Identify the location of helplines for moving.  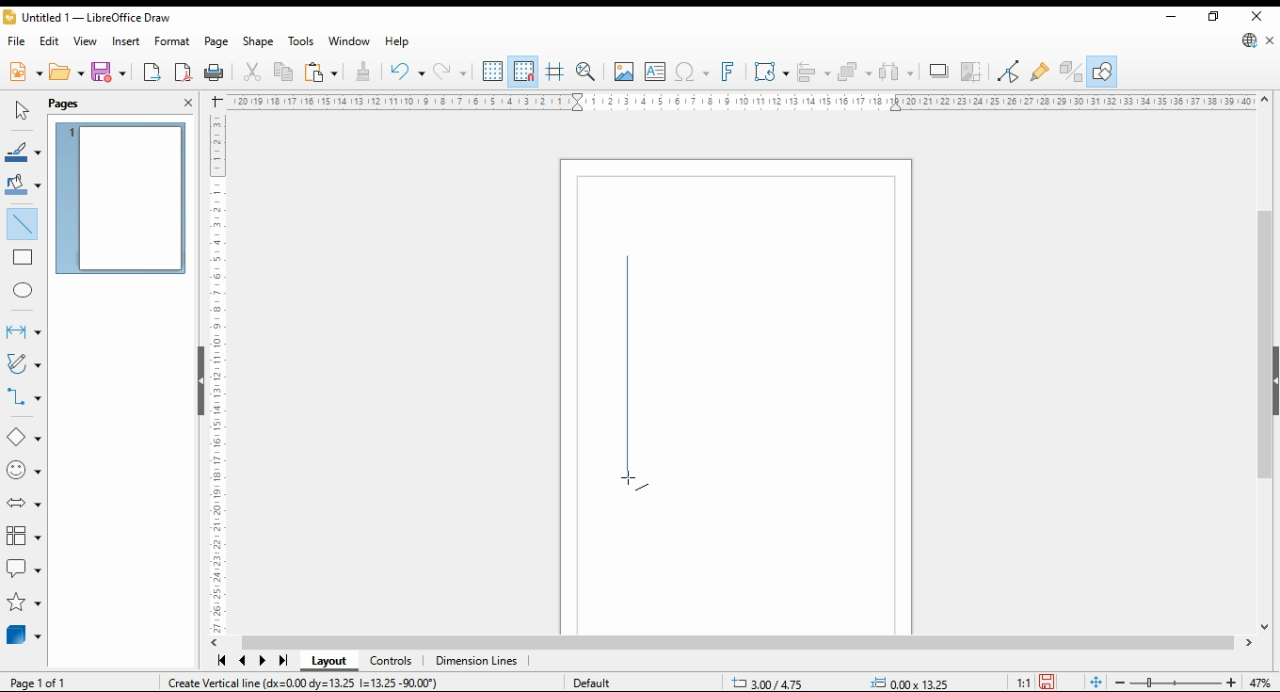
(556, 70).